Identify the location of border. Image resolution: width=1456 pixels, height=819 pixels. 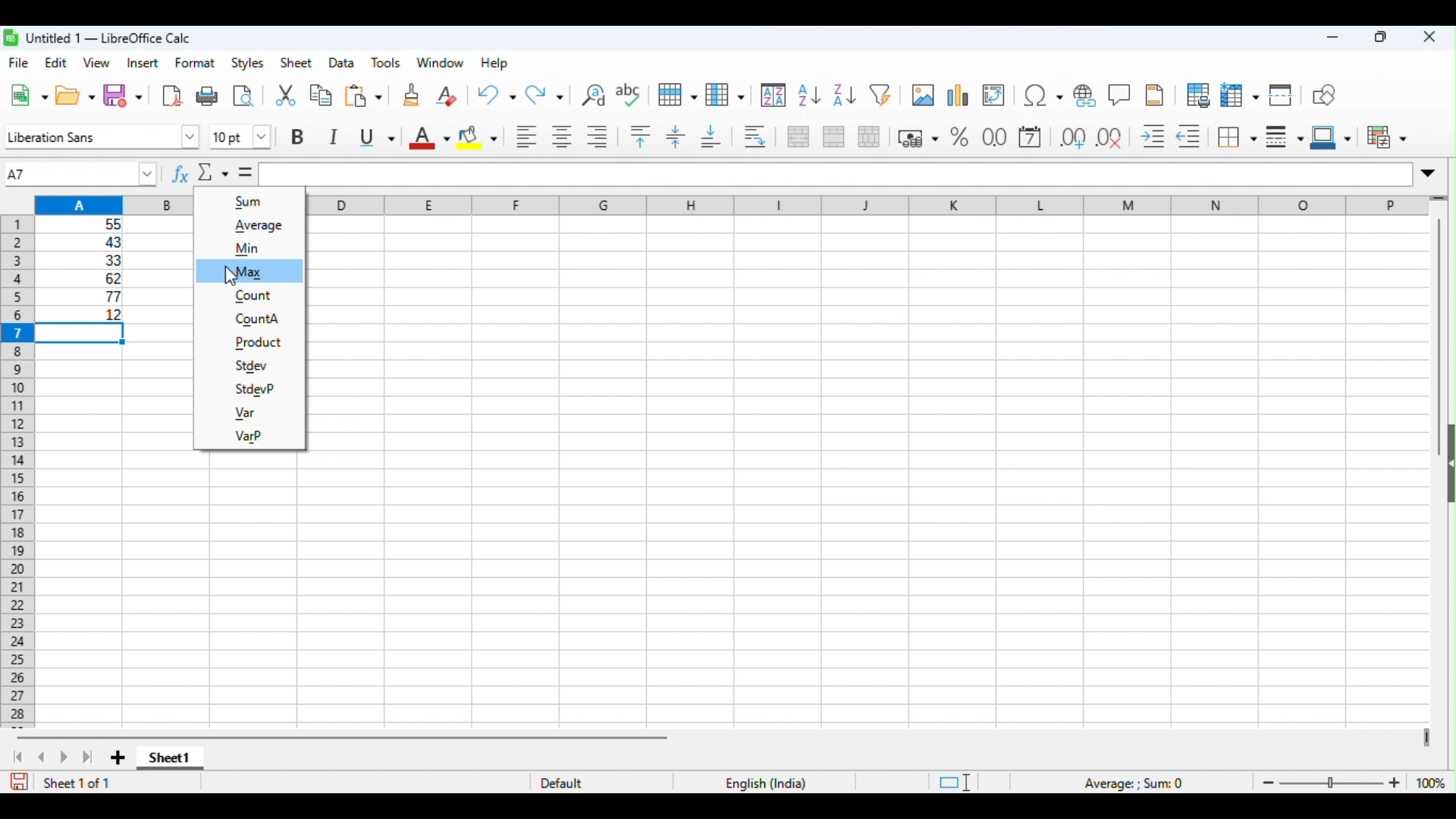
(1237, 137).